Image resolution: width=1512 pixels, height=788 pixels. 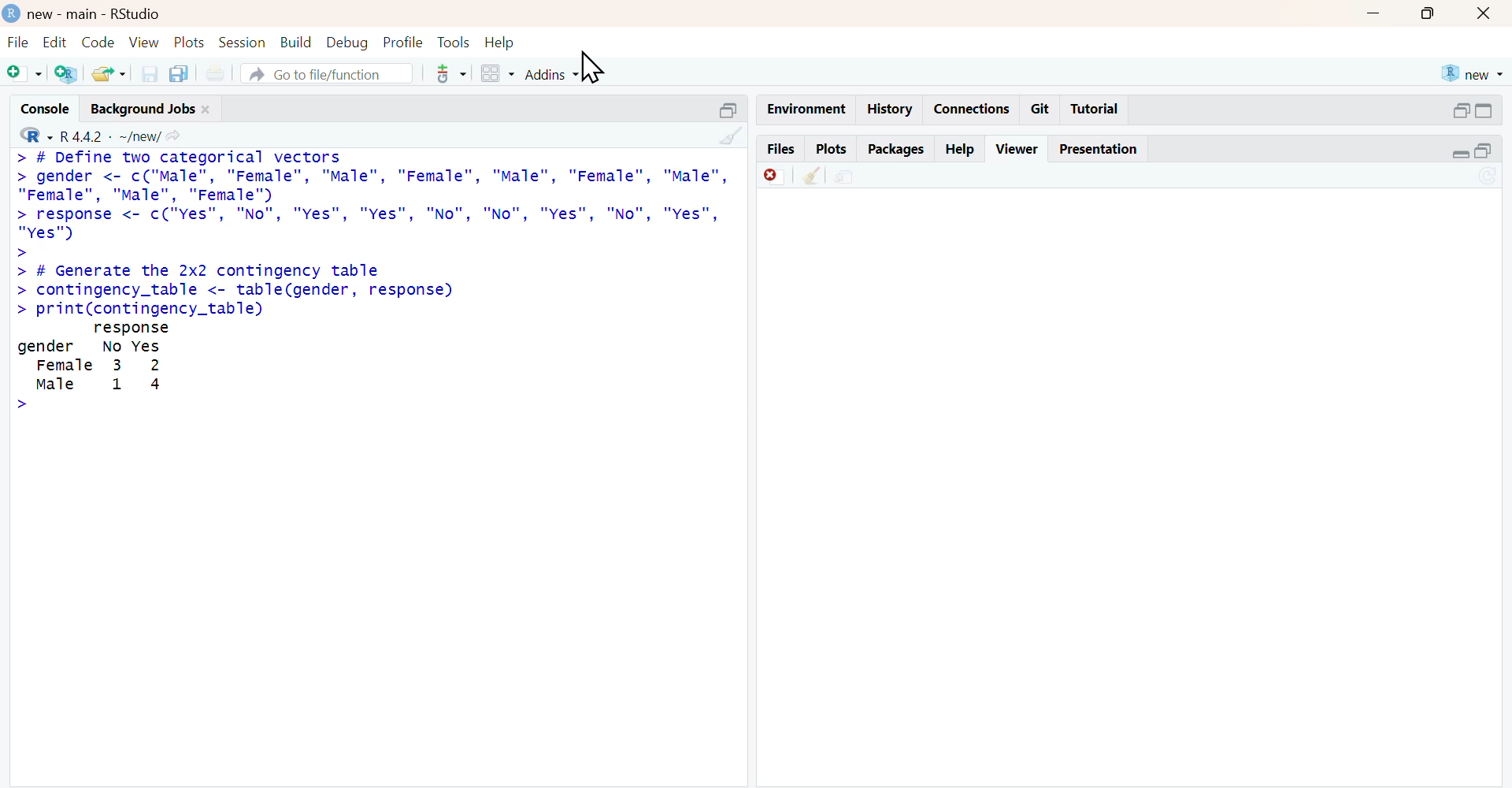 What do you see at coordinates (57, 43) in the screenshot?
I see `edit` at bounding box center [57, 43].